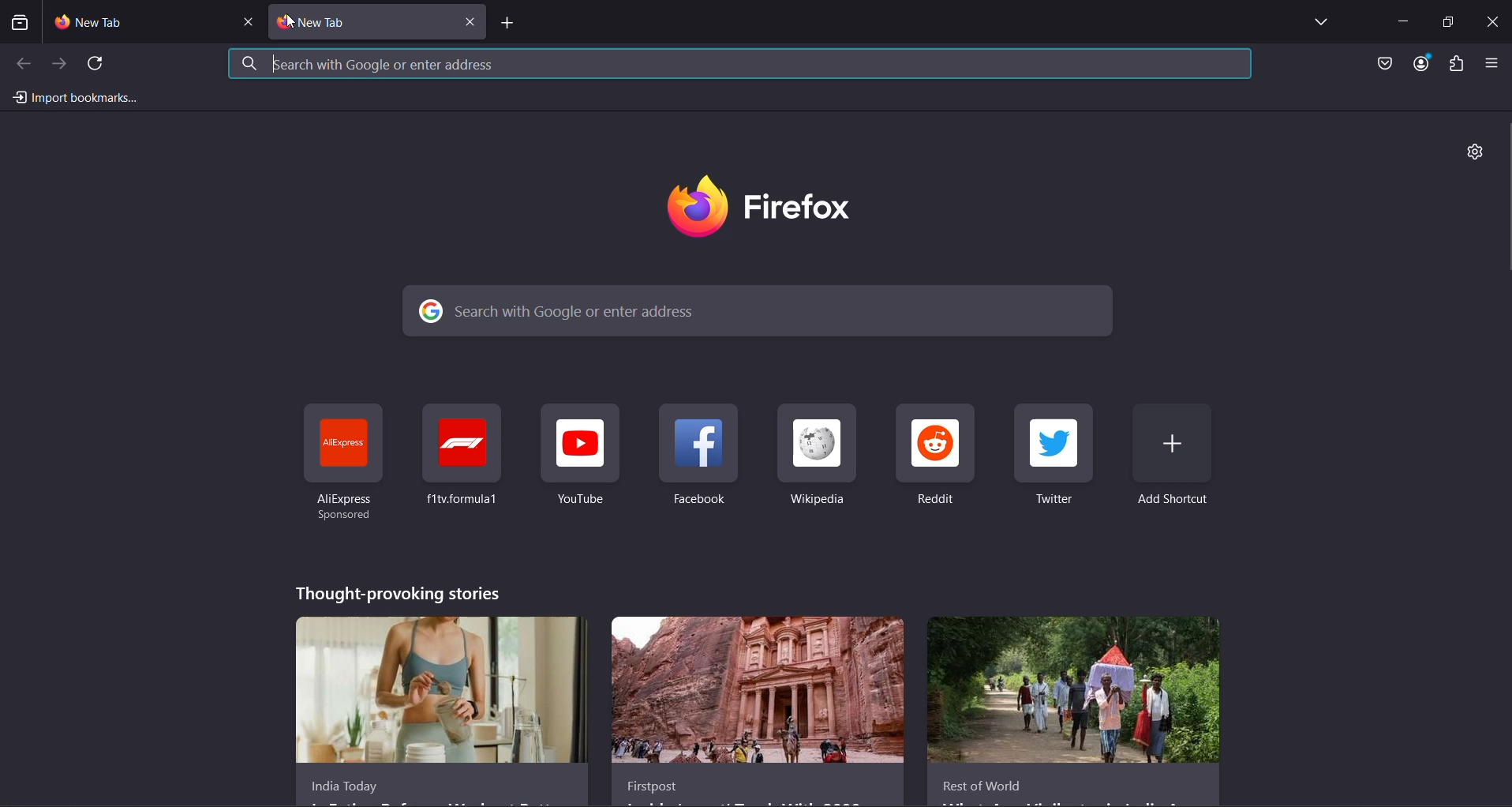 This screenshot has height=807, width=1512. Describe the element at coordinates (1452, 21) in the screenshot. I see `maximize` at that location.